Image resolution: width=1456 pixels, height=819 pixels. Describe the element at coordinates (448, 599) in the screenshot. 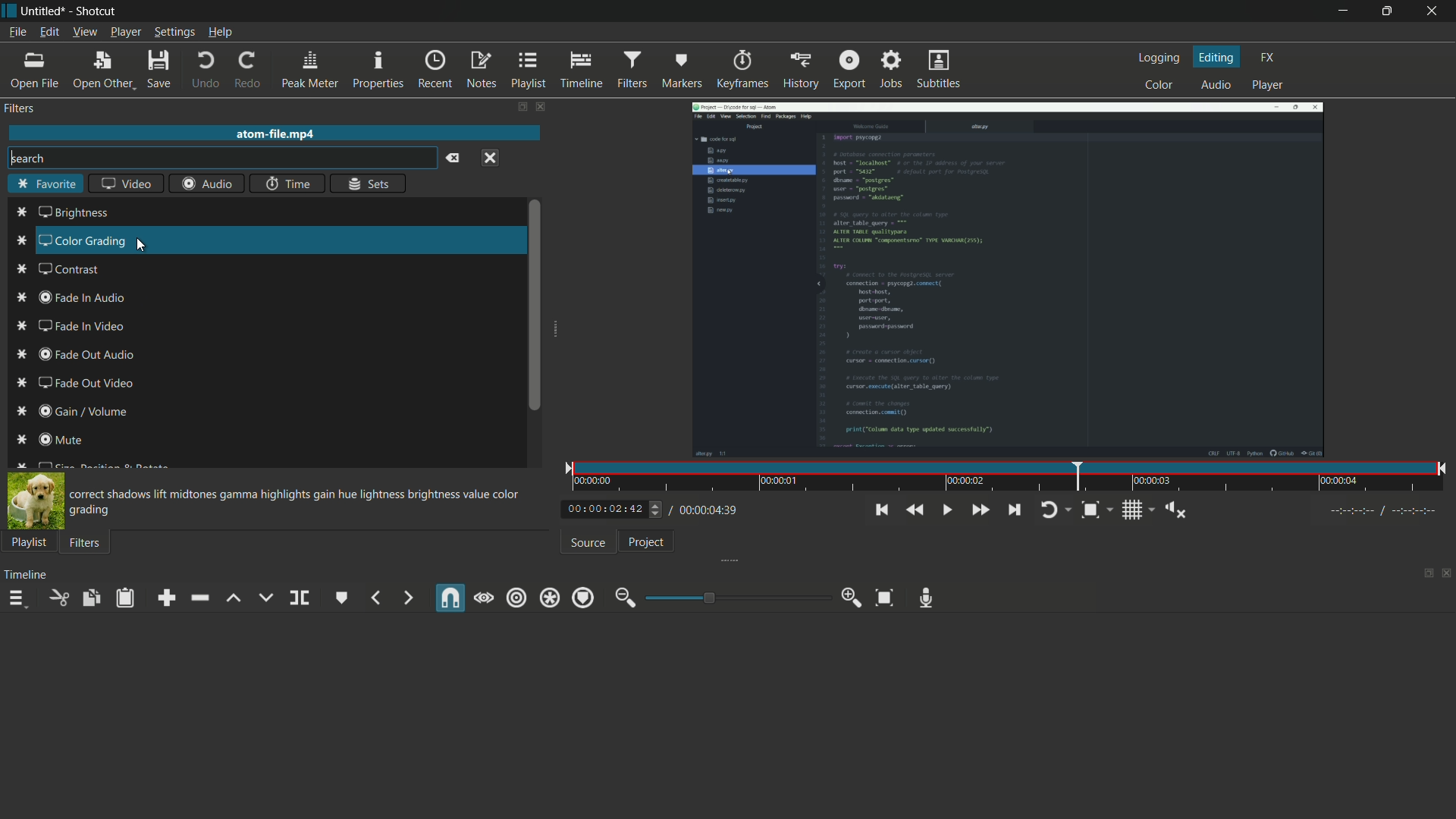

I see `snap` at that location.